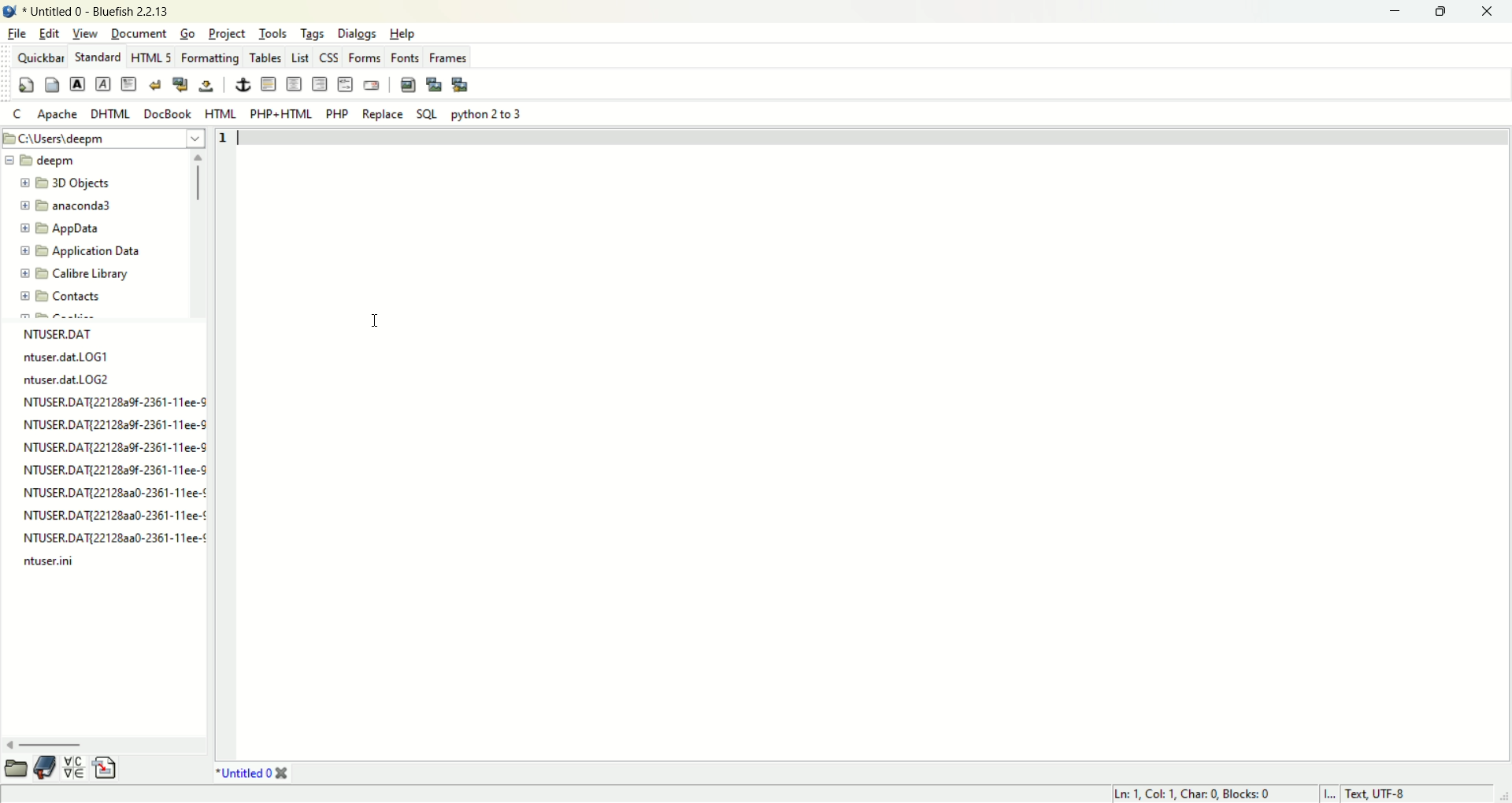 This screenshot has width=1512, height=803. Describe the element at coordinates (17, 116) in the screenshot. I see `C` at that location.